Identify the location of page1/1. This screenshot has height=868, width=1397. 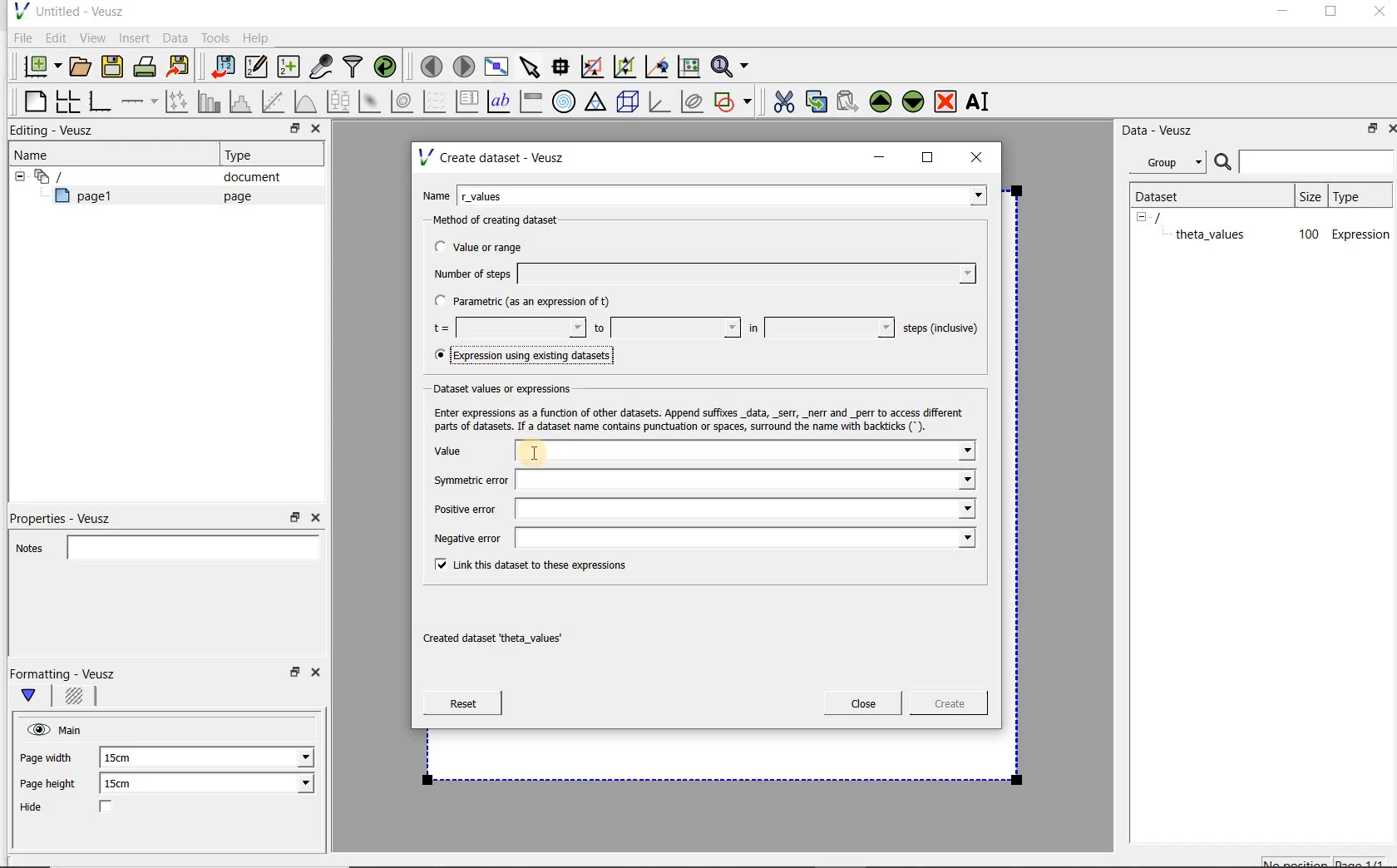
(1366, 861).